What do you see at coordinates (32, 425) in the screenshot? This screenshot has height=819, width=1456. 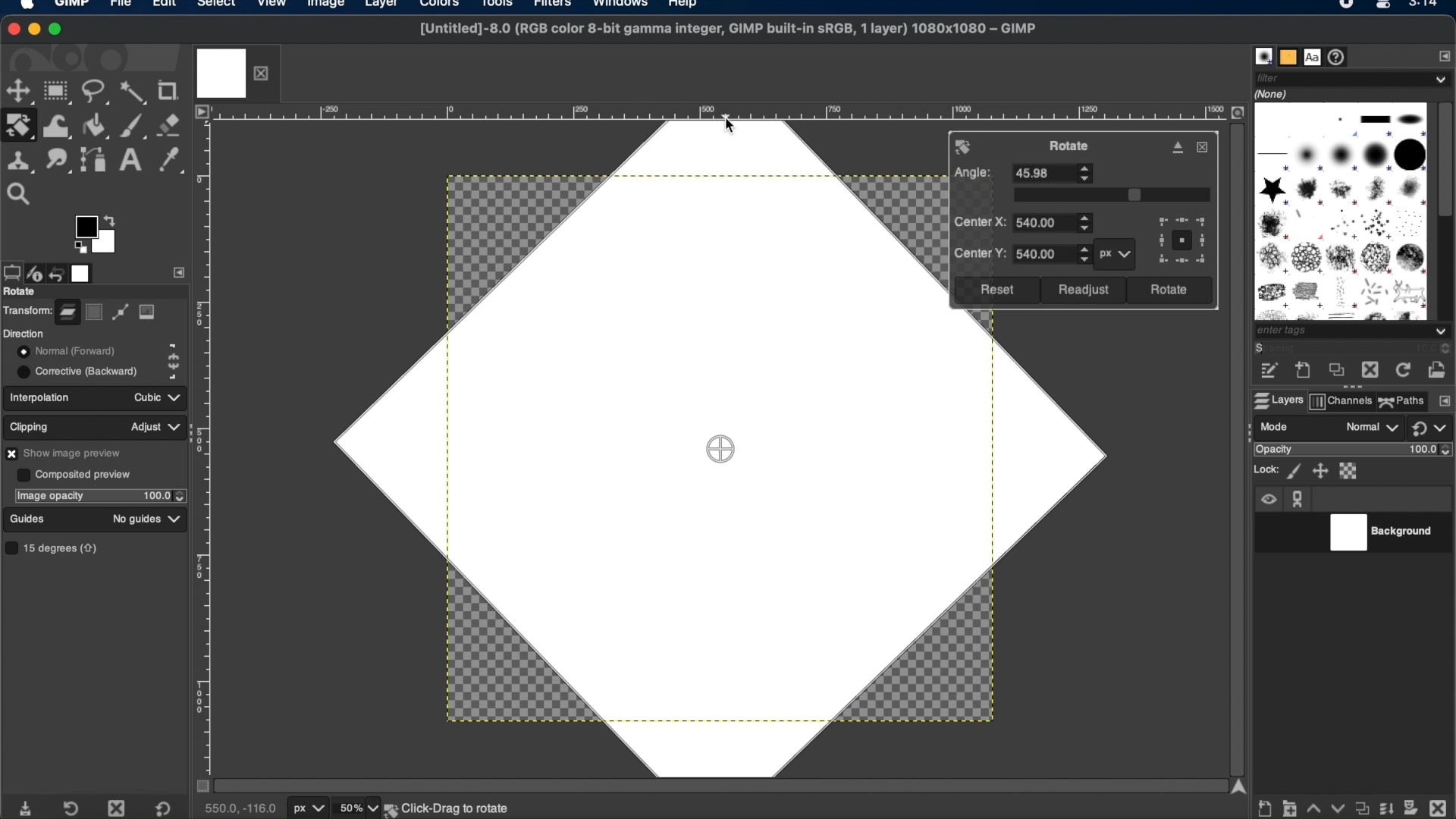 I see `clipping` at bounding box center [32, 425].